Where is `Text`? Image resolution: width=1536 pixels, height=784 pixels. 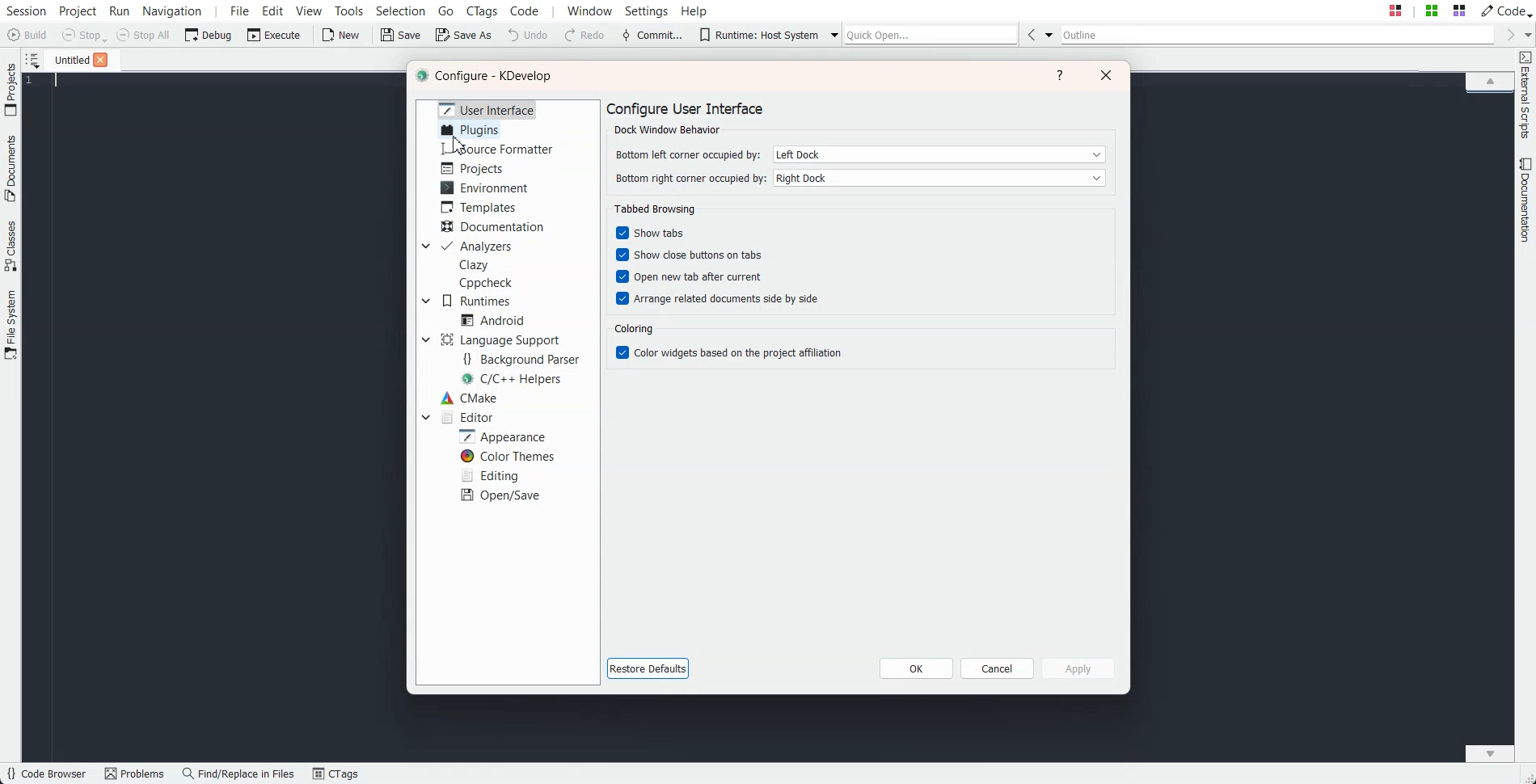 Text is located at coordinates (652, 208).